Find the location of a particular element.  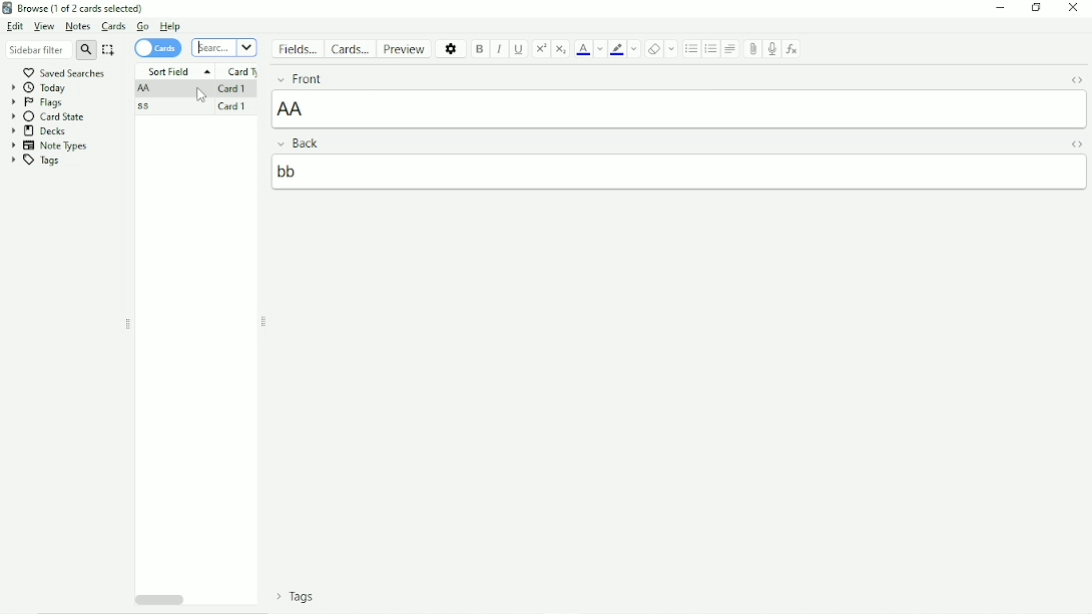

View is located at coordinates (44, 27).